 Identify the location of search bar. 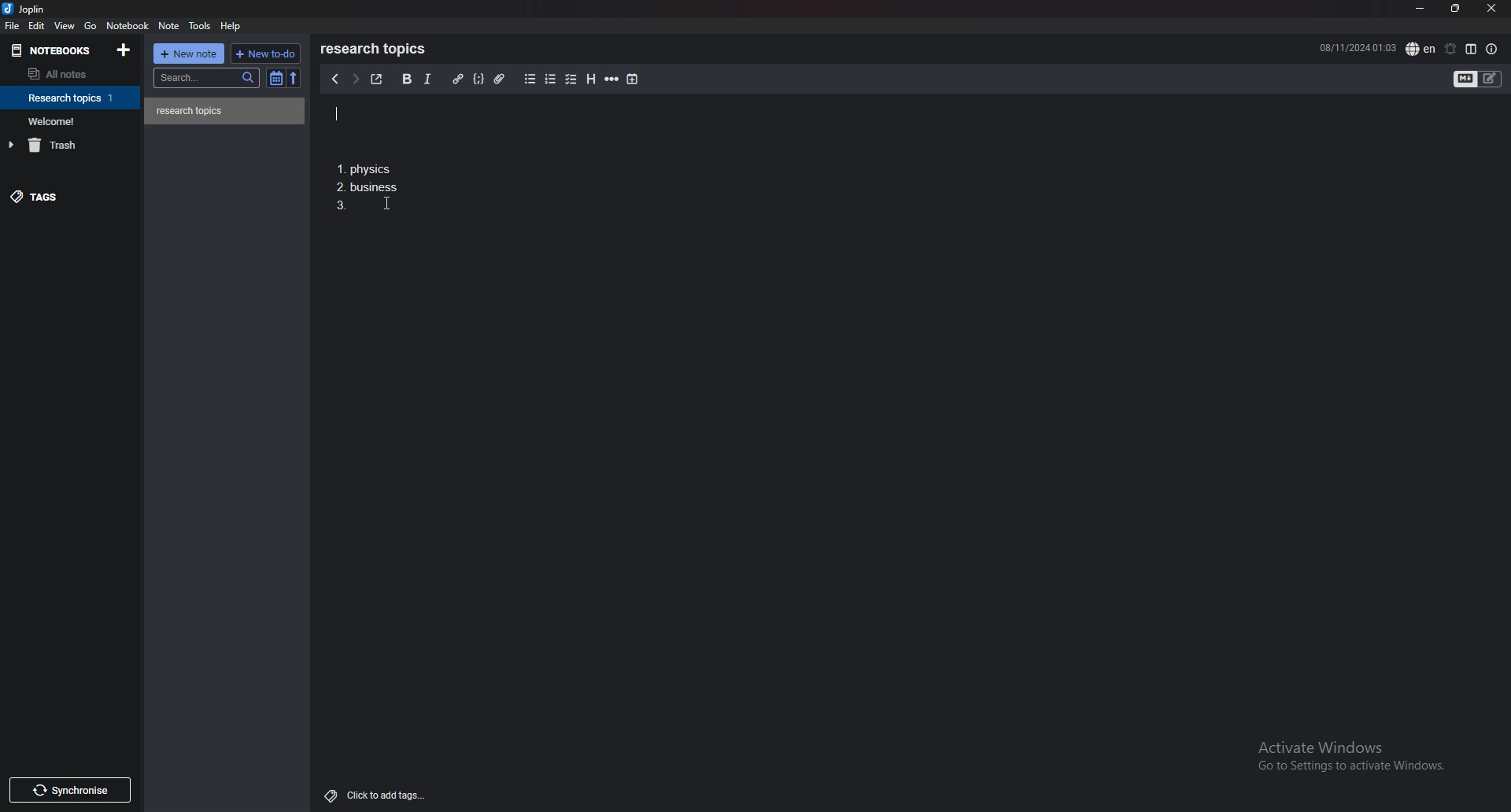
(208, 77).